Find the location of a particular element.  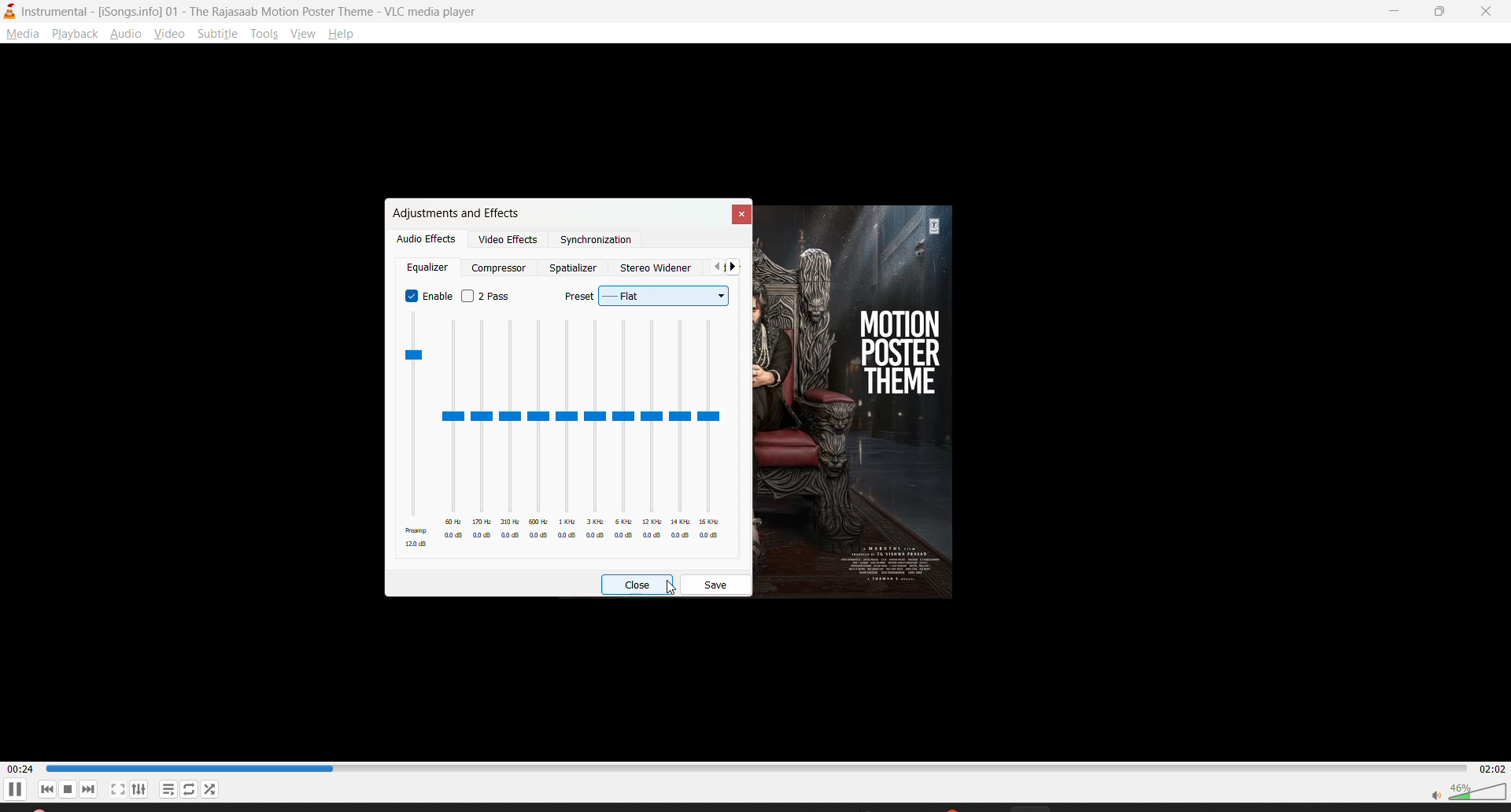

equalizer presets disabled is located at coordinates (563, 430).